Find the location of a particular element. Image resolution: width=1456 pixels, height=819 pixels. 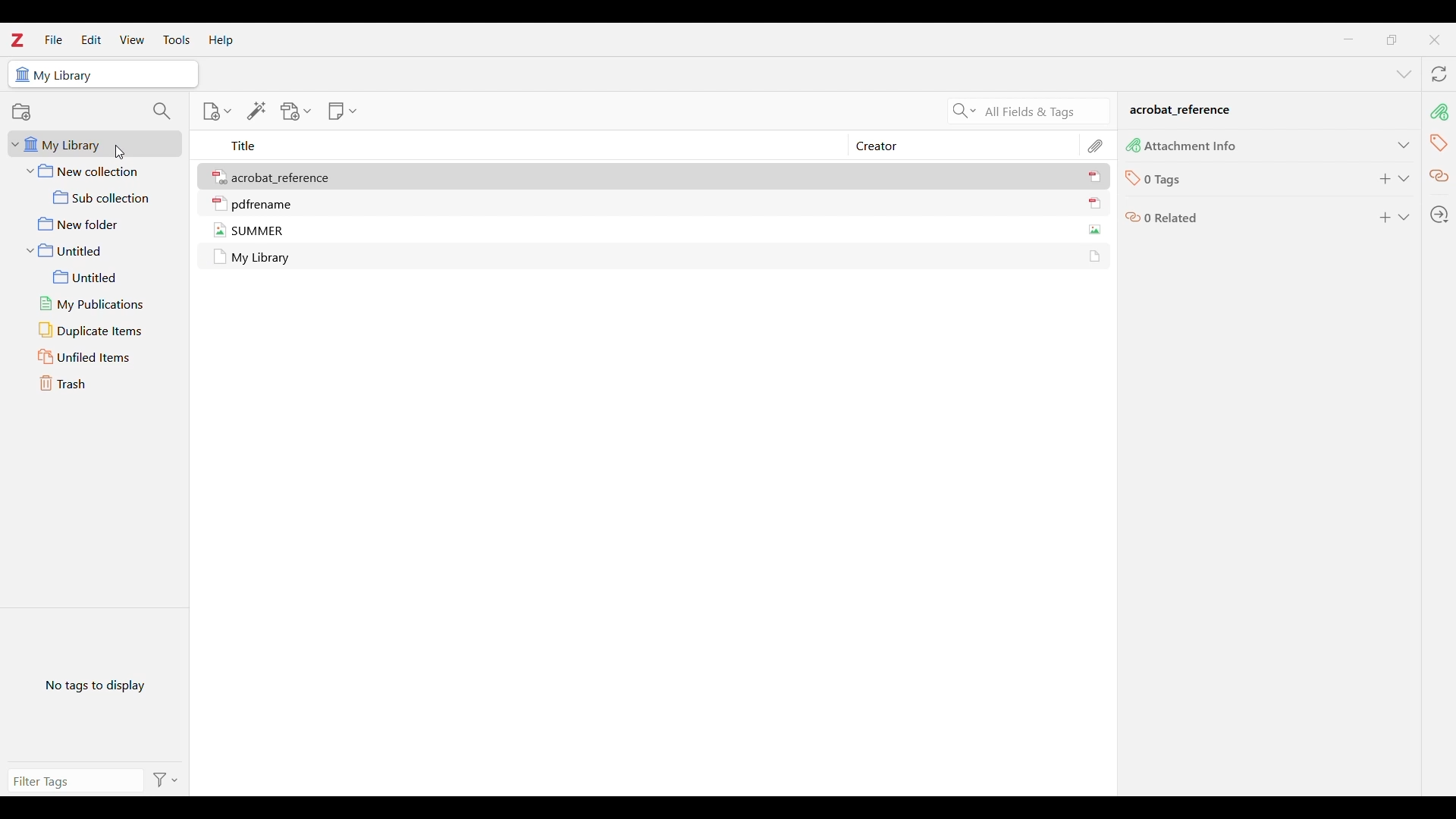

Attachment Info is located at coordinates (1192, 147).